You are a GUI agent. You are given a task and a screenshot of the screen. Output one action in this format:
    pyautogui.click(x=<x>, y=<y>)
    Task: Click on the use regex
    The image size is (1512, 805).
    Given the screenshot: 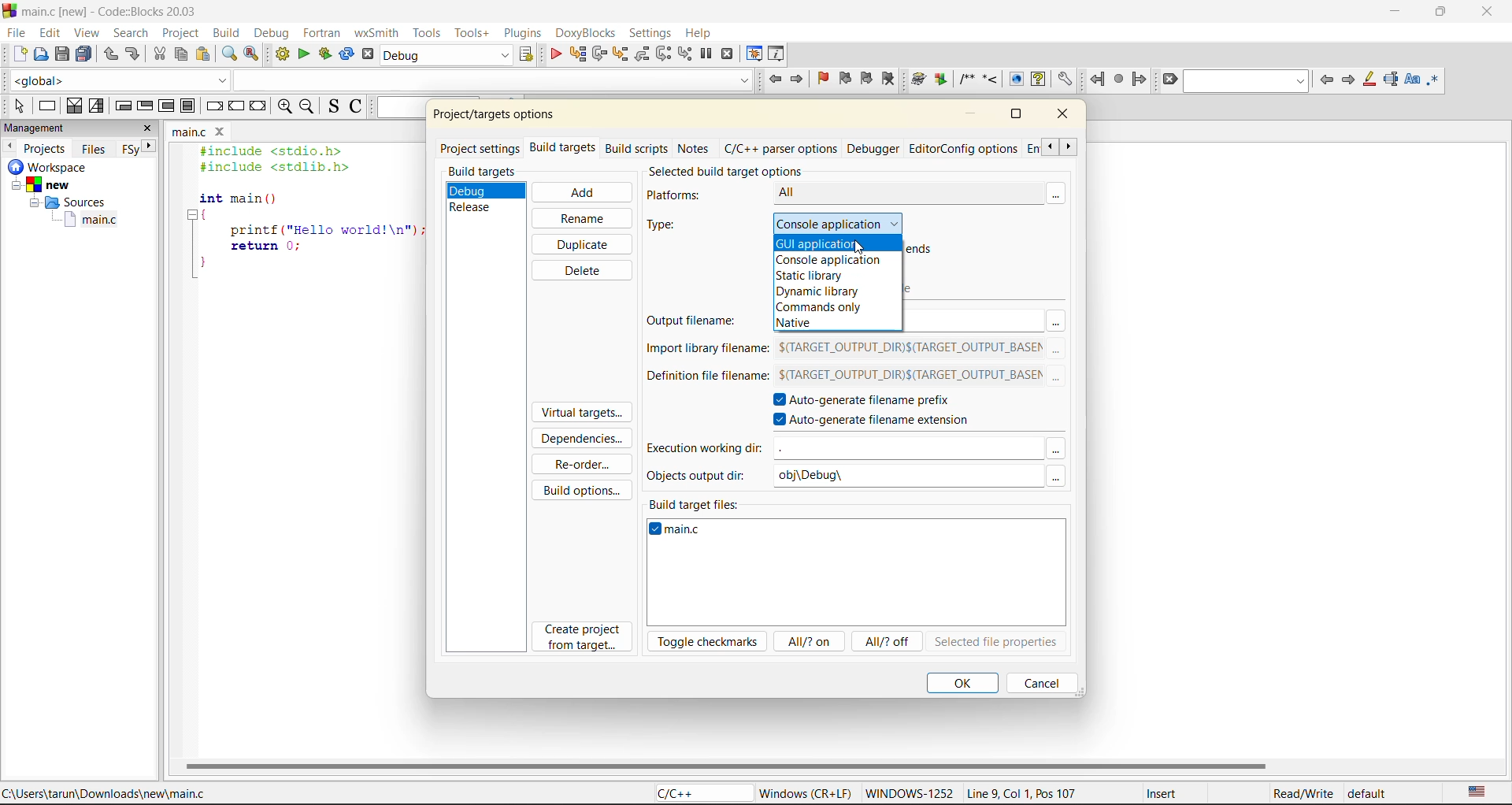 What is the action you would take?
    pyautogui.click(x=1436, y=80)
    